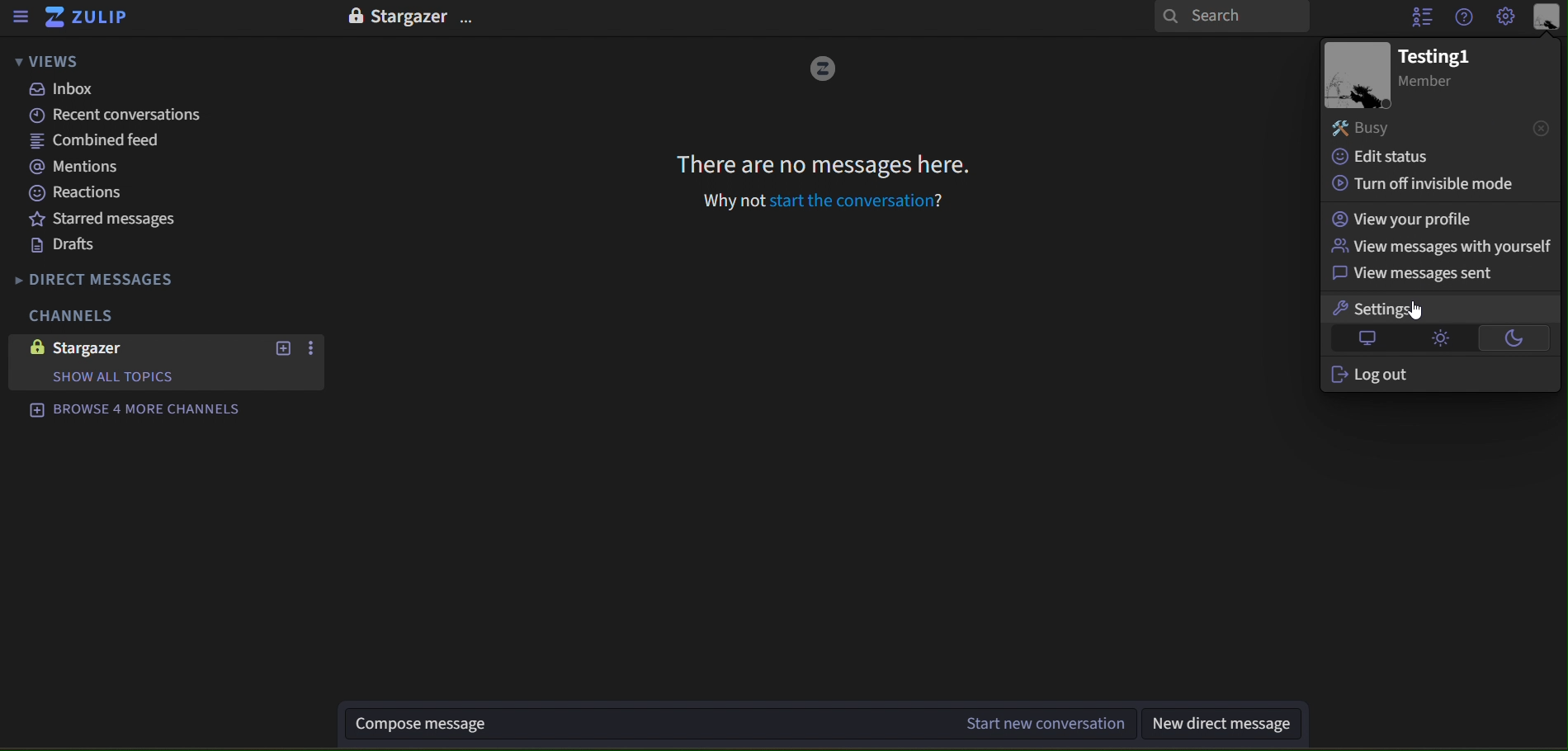 The image size is (1568, 751). I want to click on sidebar, so click(20, 17).